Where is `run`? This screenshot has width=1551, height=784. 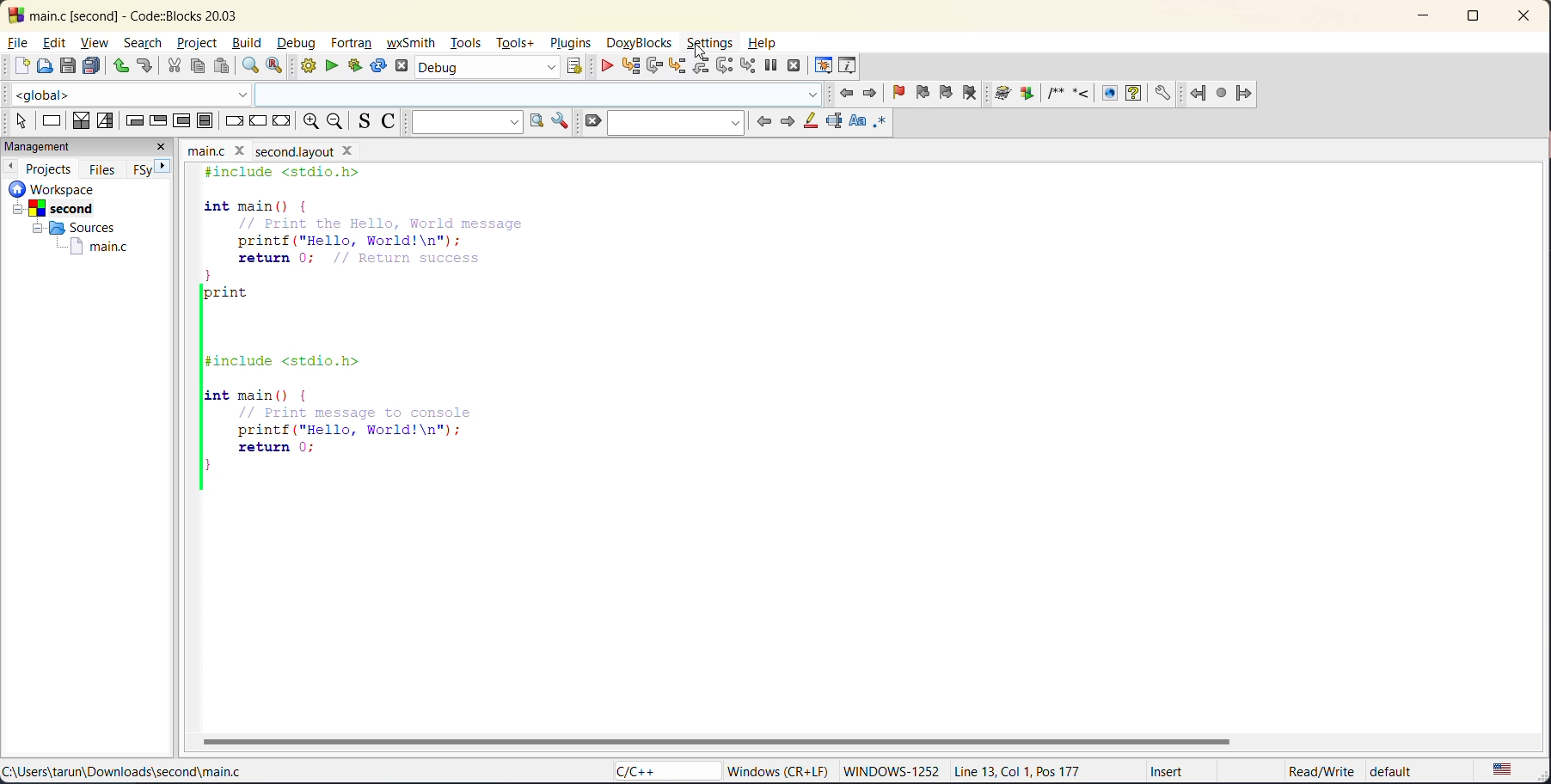
run is located at coordinates (335, 69).